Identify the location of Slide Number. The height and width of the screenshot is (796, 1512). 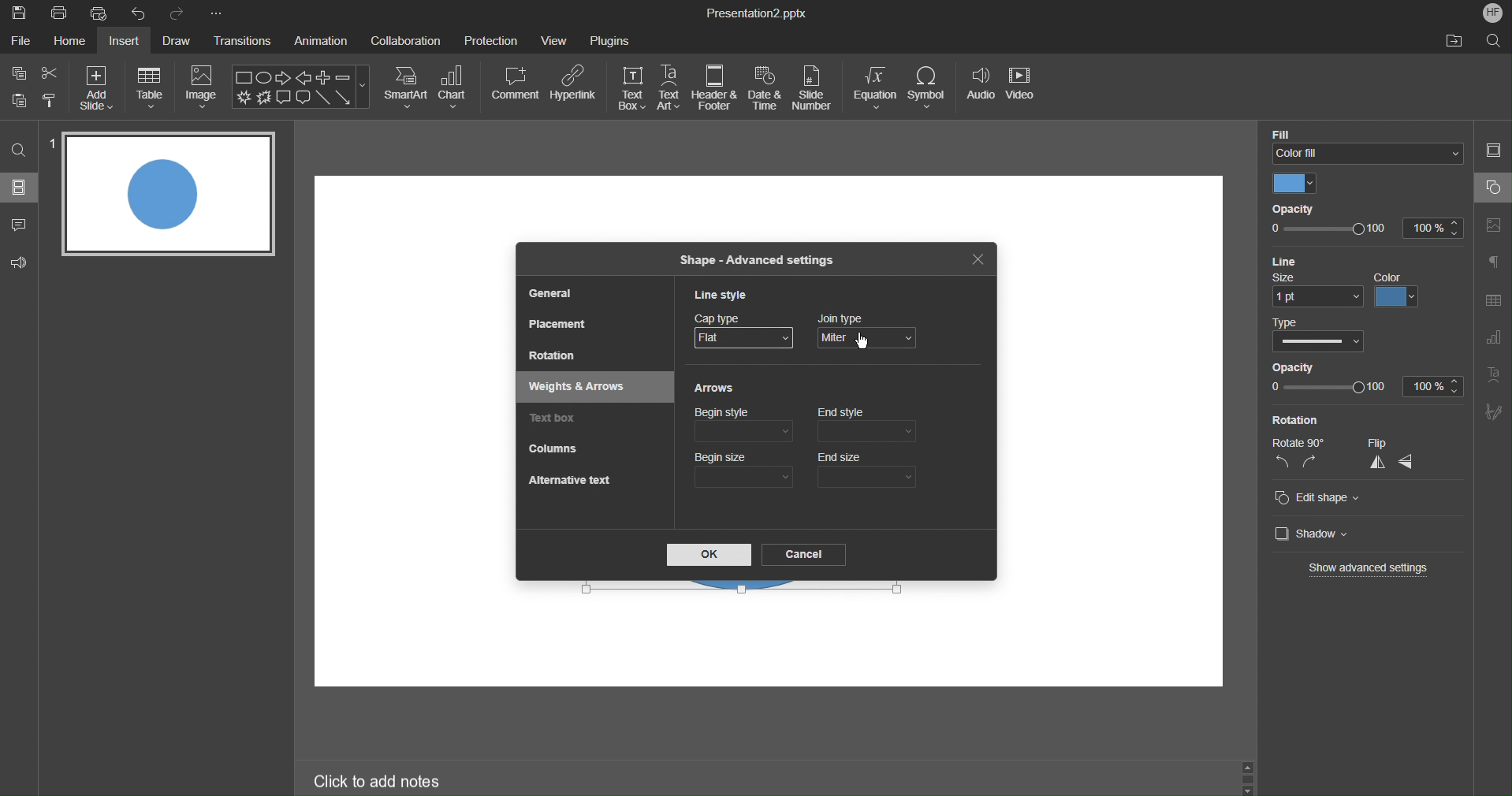
(815, 89).